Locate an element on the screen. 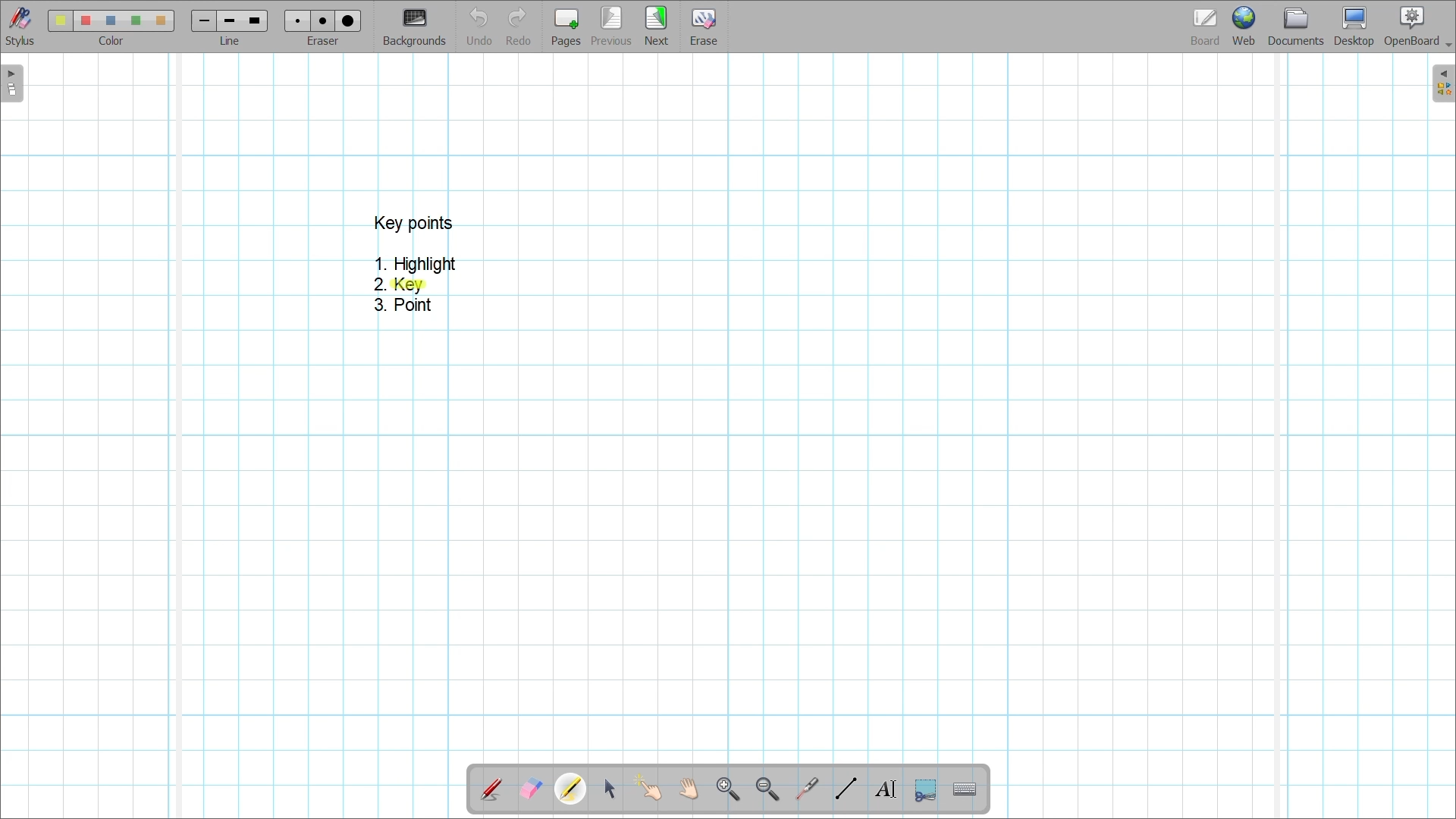 This screenshot has height=819, width=1456. Zoom in is located at coordinates (729, 790).